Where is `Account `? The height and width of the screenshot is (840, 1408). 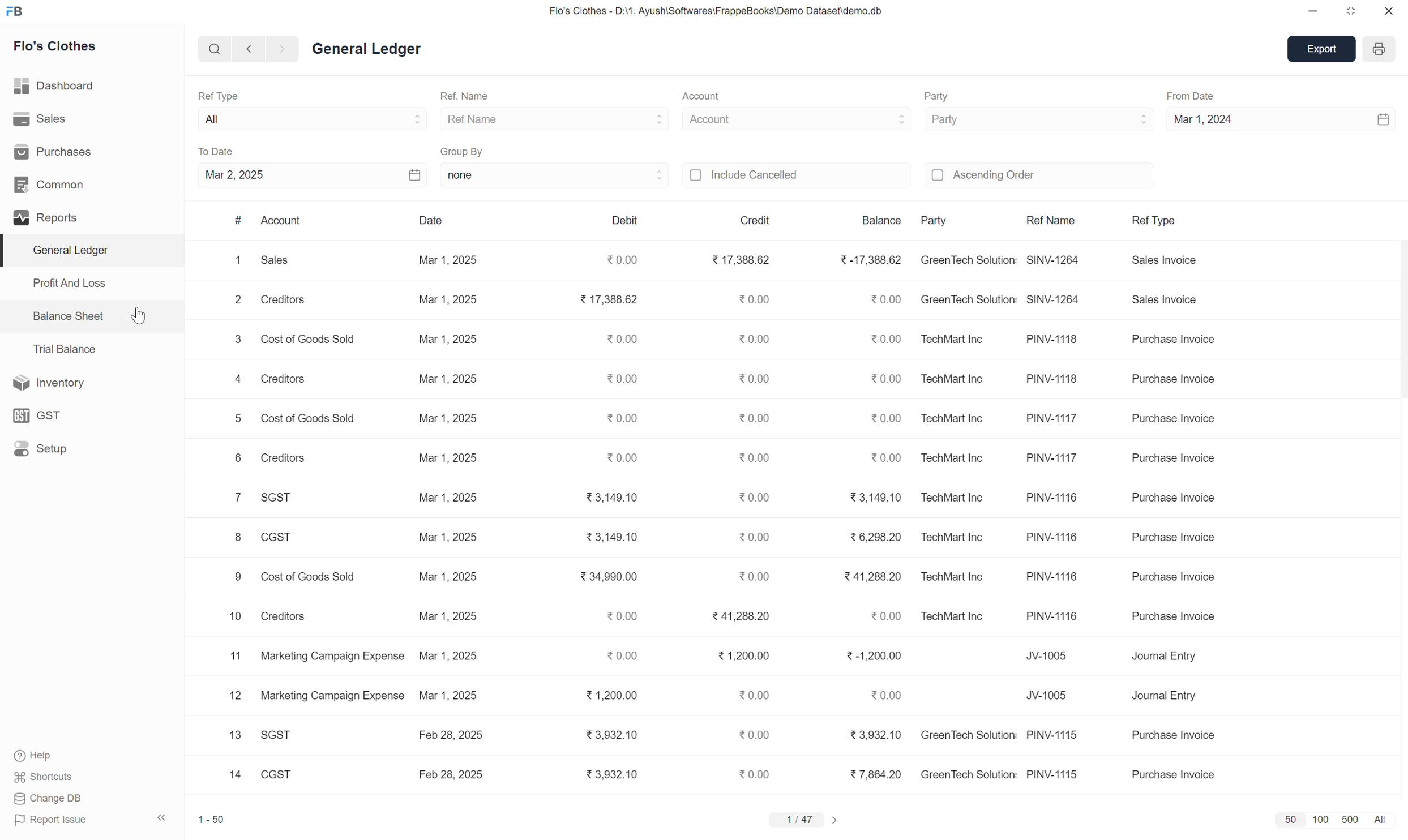 Account  is located at coordinates (795, 119).